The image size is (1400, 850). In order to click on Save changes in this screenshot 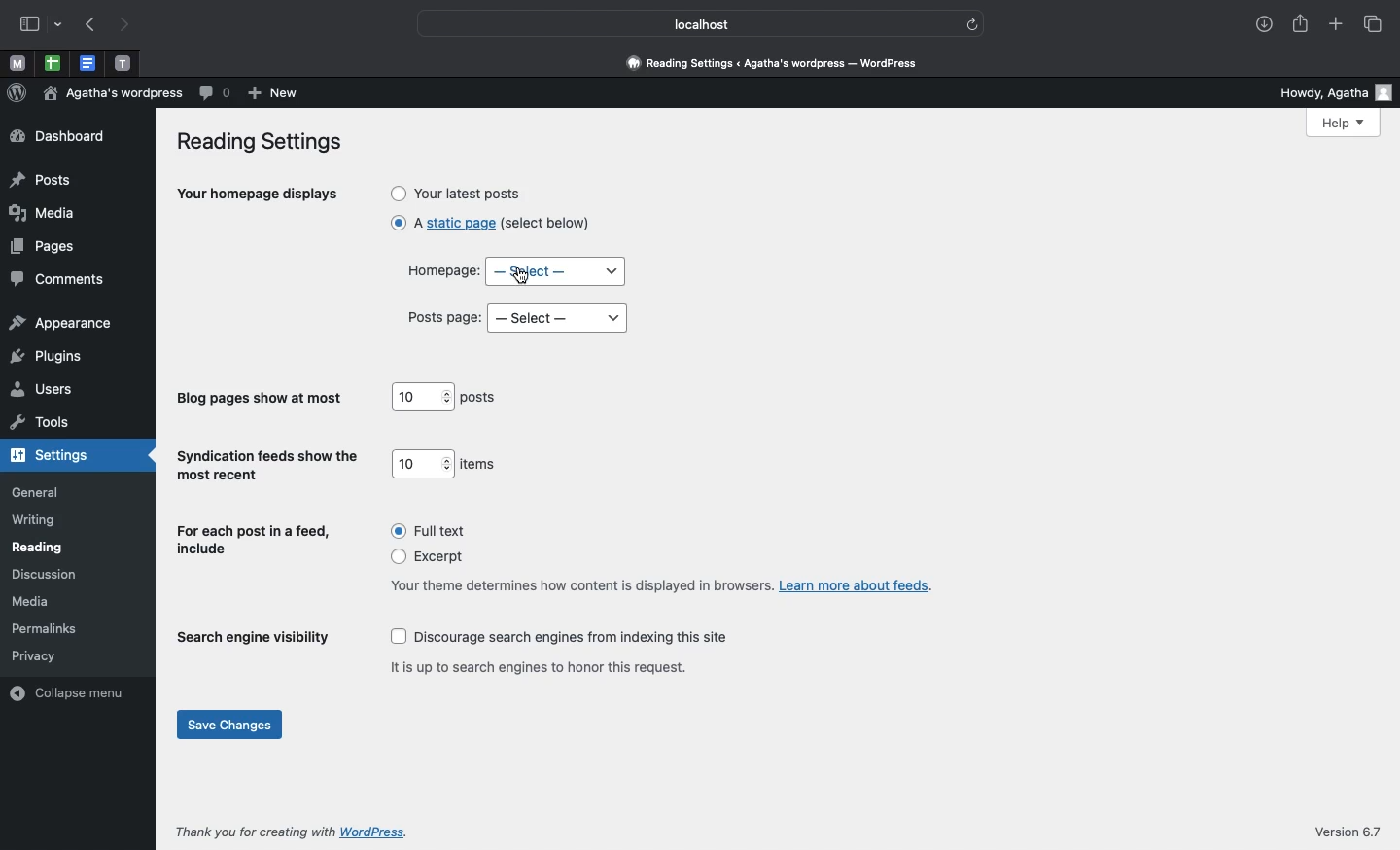, I will do `click(231, 726)`.